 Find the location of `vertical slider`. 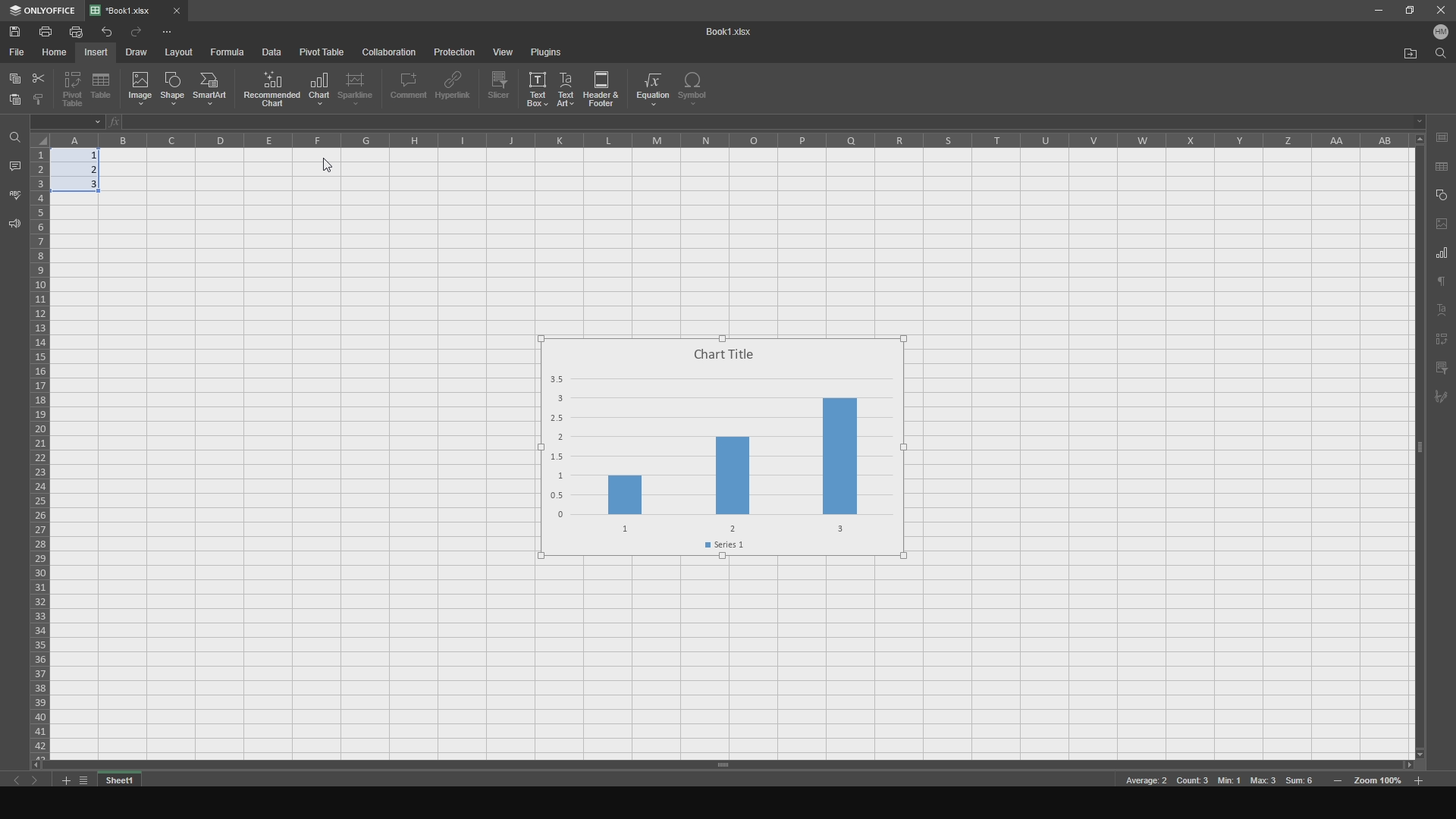

vertical slider is located at coordinates (1420, 459).